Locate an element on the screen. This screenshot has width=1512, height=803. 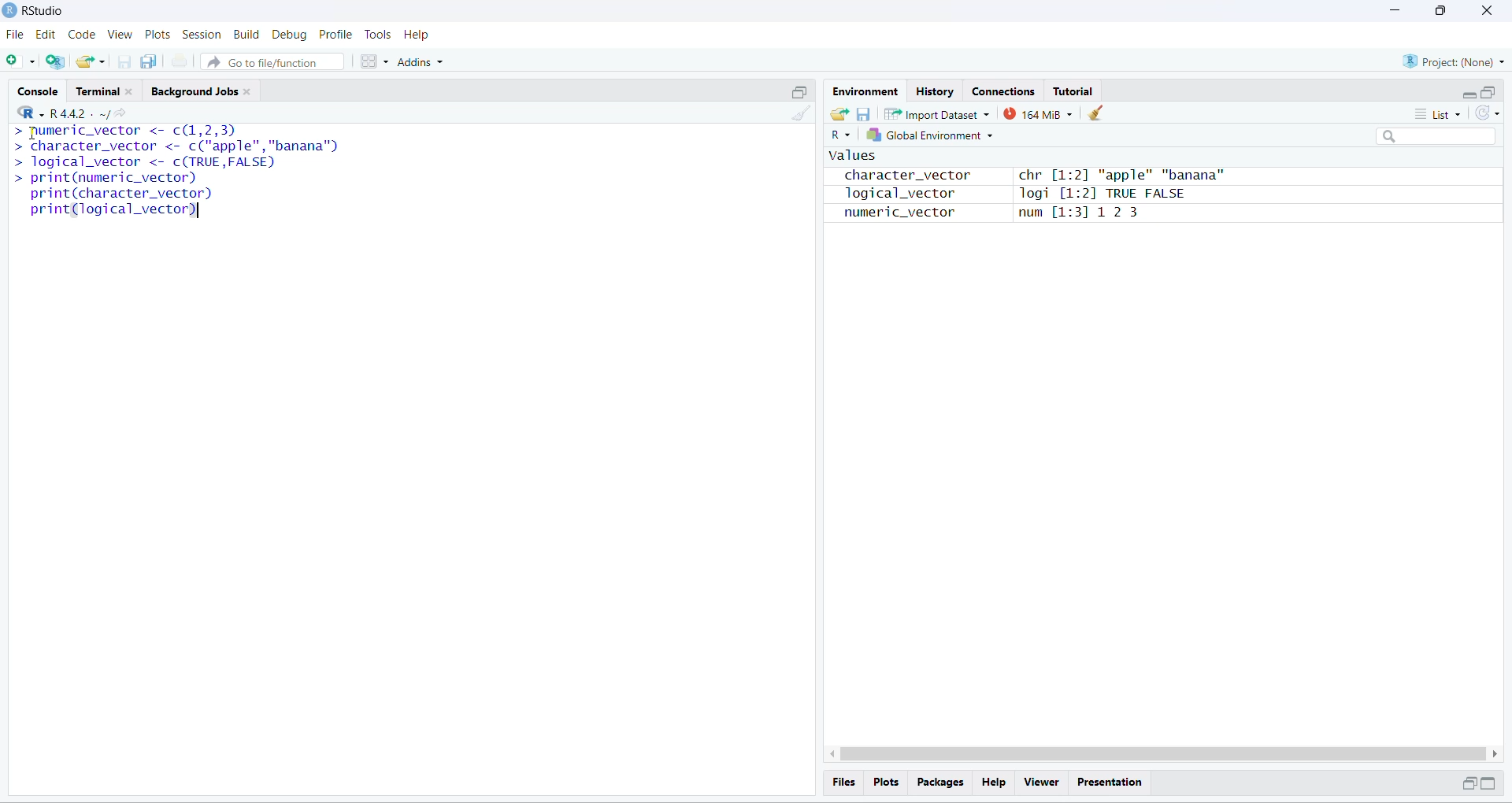
workspace panes is located at coordinates (373, 61).